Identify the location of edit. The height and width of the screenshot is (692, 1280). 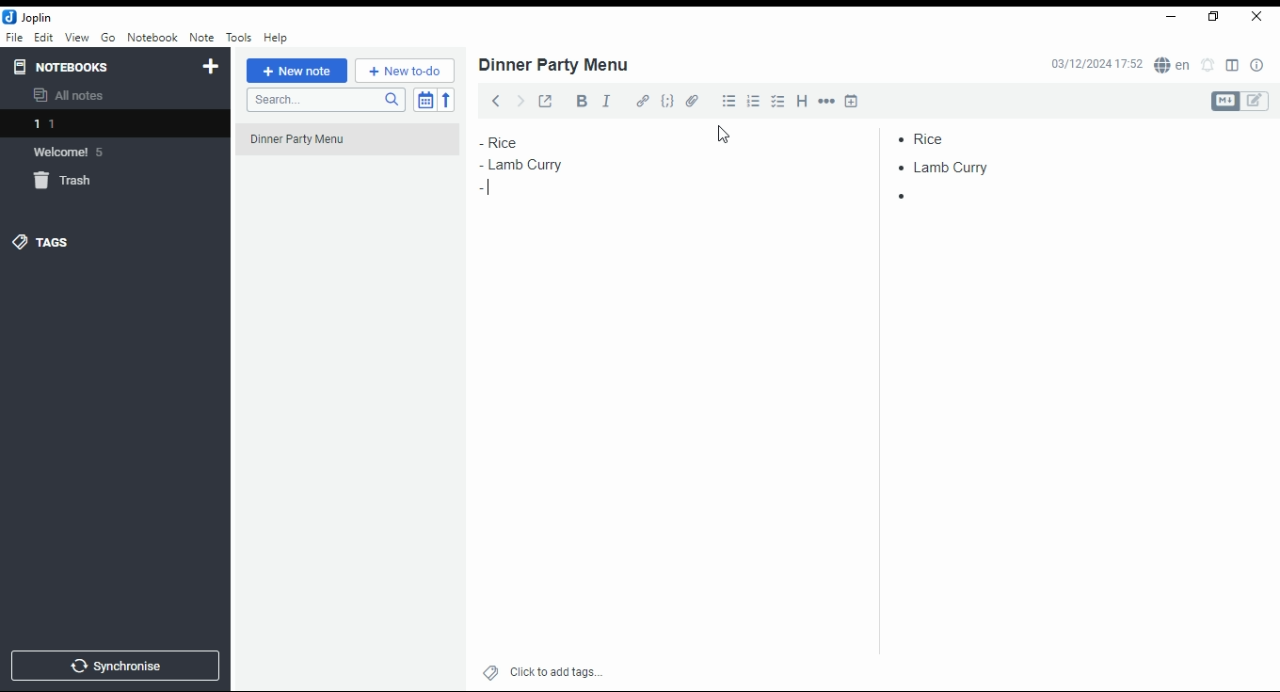
(44, 37).